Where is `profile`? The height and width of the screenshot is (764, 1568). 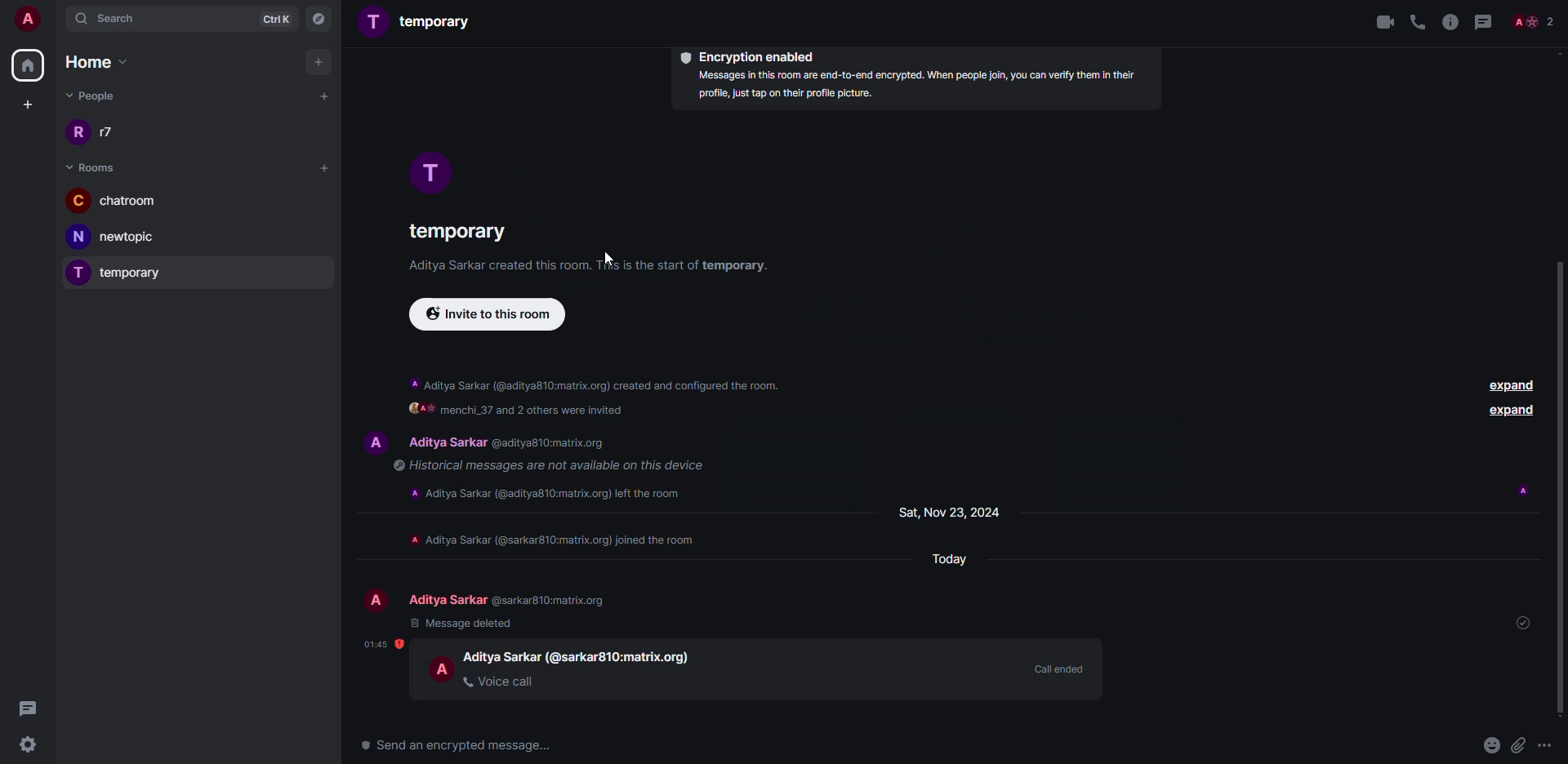 profile is located at coordinates (374, 440).